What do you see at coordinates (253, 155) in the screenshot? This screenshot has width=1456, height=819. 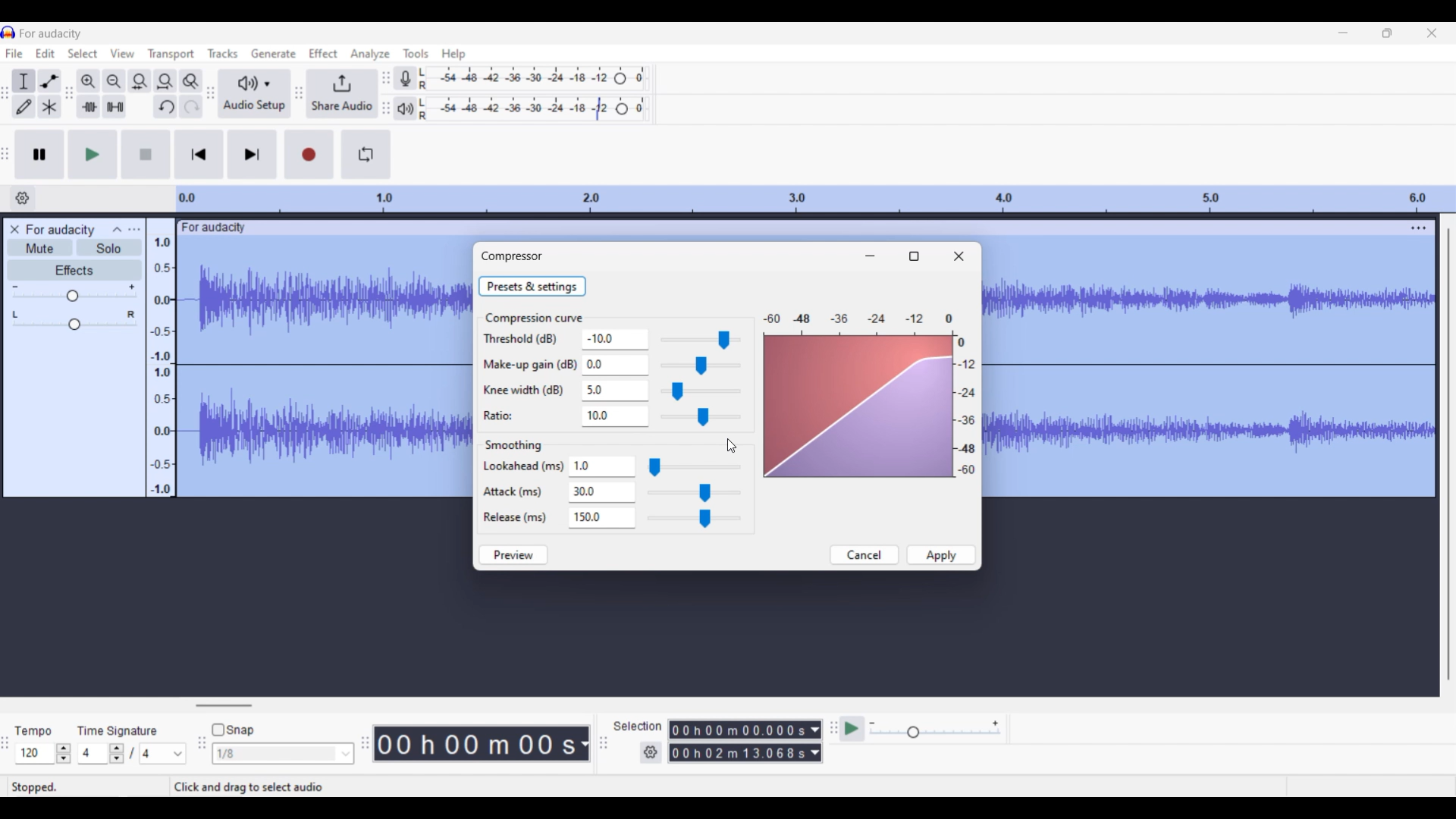 I see `Skip/Select to end` at bounding box center [253, 155].